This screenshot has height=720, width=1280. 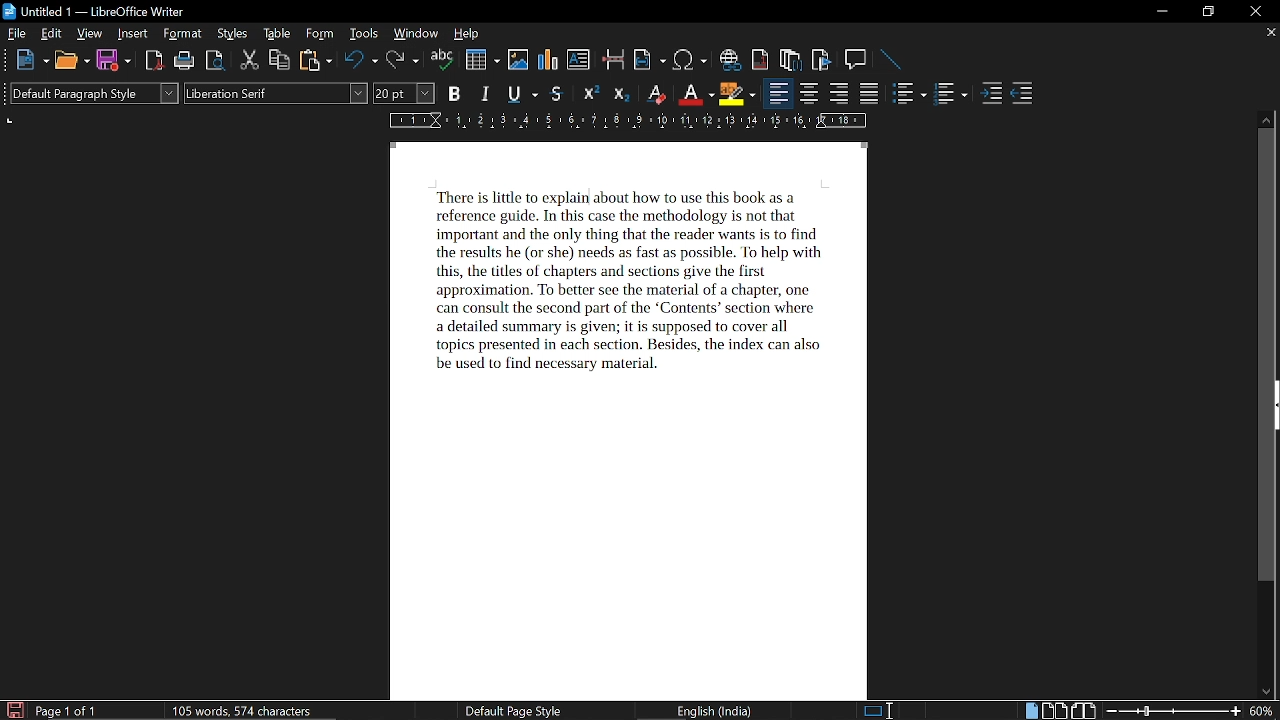 What do you see at coordinates (114, 61) in the screenshot?
I see `save` at bounding box center [114, 61].